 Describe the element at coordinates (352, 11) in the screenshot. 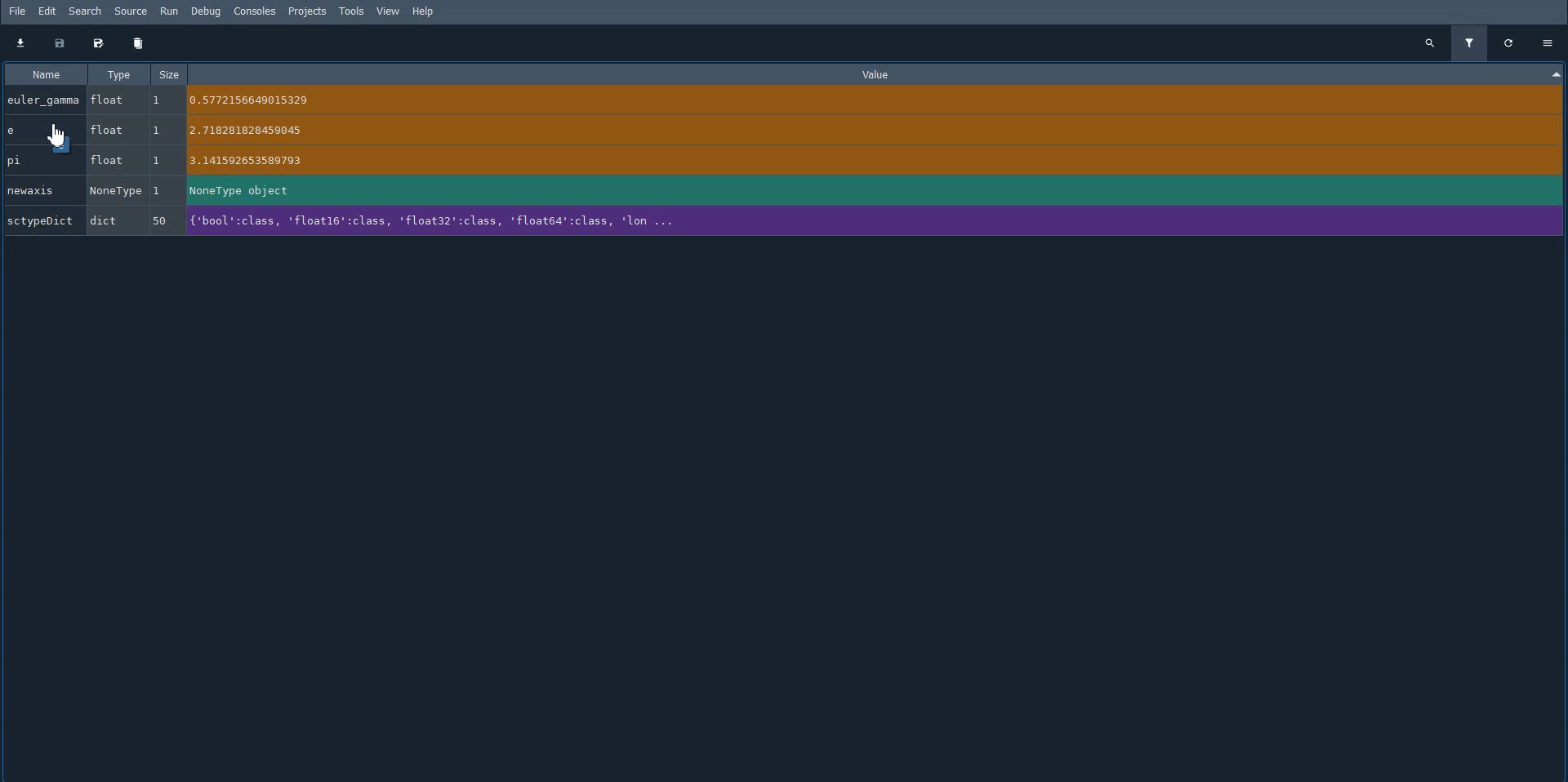

I see `Tools` at that location.